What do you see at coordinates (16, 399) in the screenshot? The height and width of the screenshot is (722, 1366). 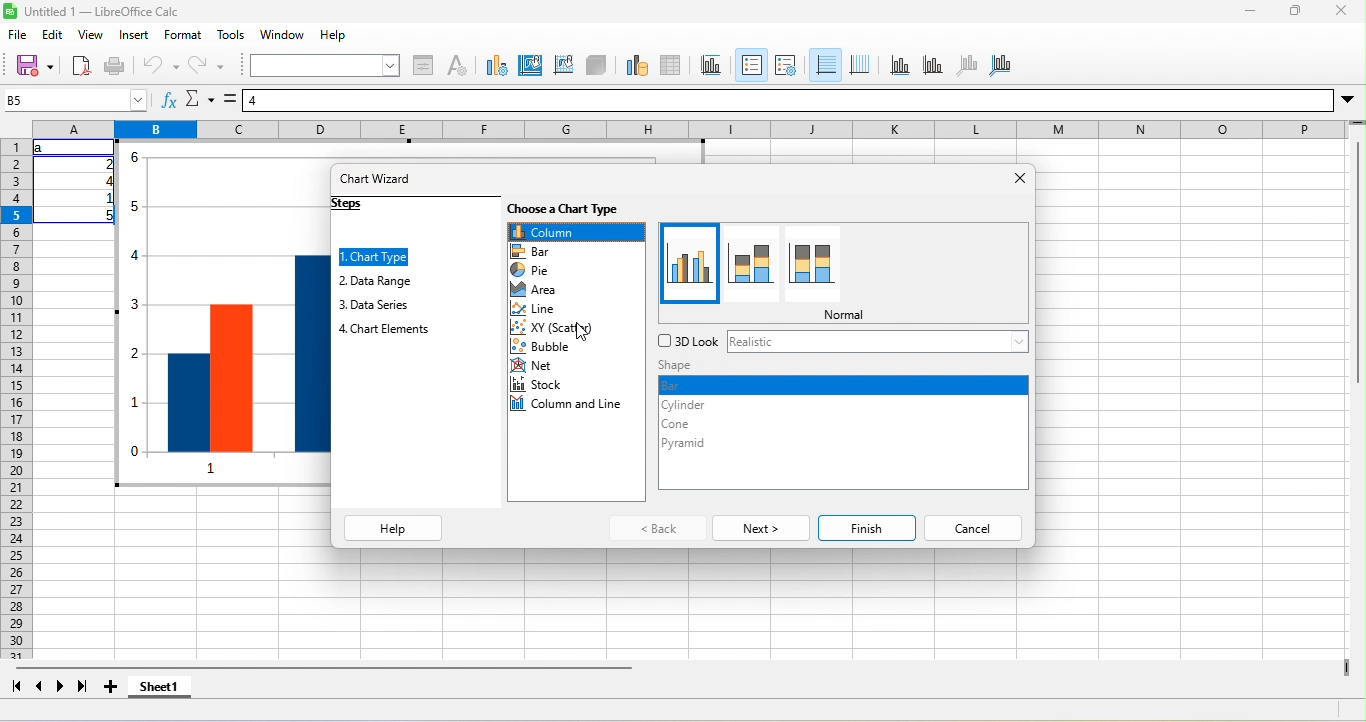 I see `rows` at bounding box center [16, 399].